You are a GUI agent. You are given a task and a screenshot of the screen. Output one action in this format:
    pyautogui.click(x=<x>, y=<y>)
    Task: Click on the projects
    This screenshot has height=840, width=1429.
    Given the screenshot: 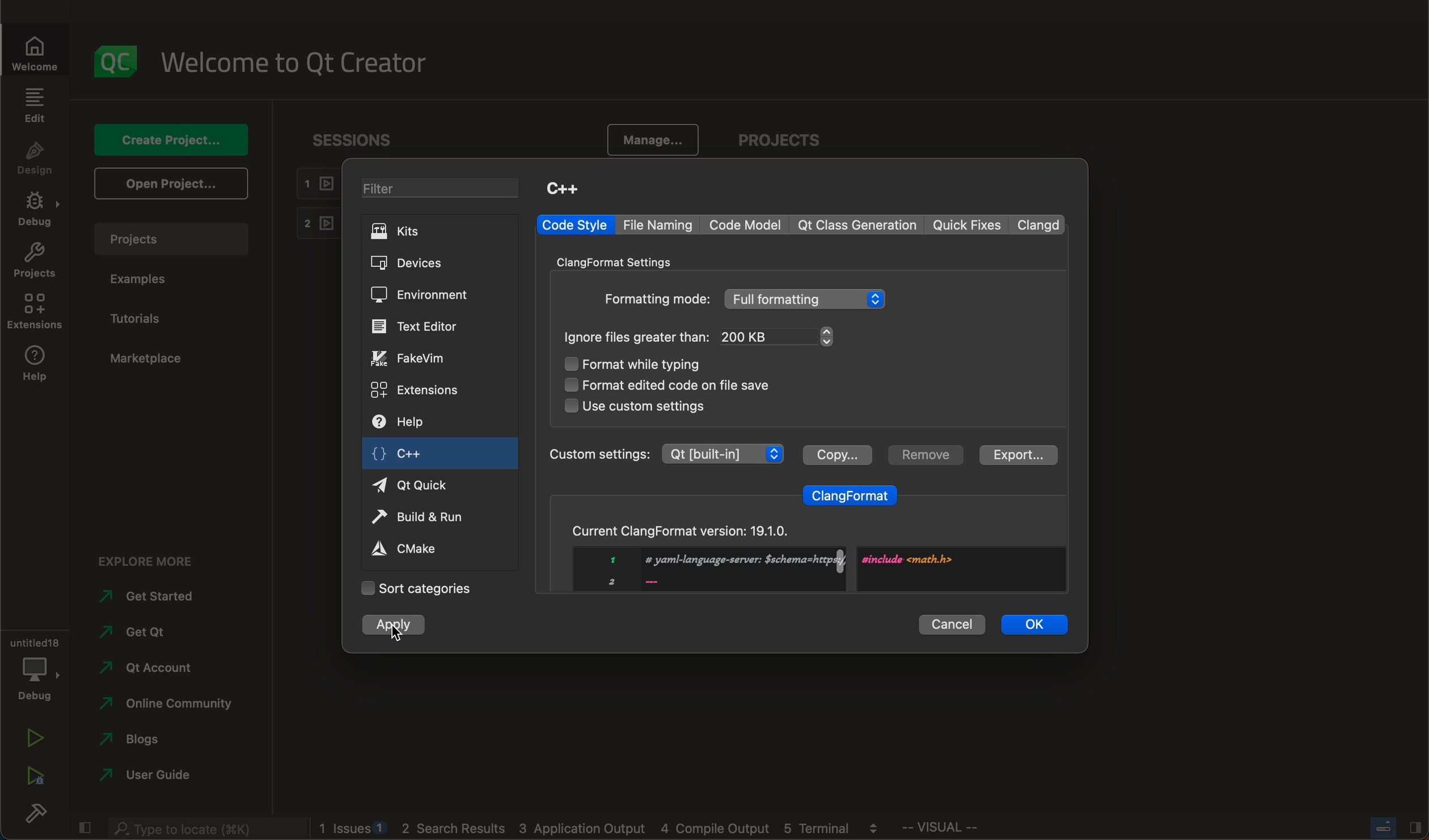 What is the action you would take?
    pyautogui.click(x=35, y=263)
    